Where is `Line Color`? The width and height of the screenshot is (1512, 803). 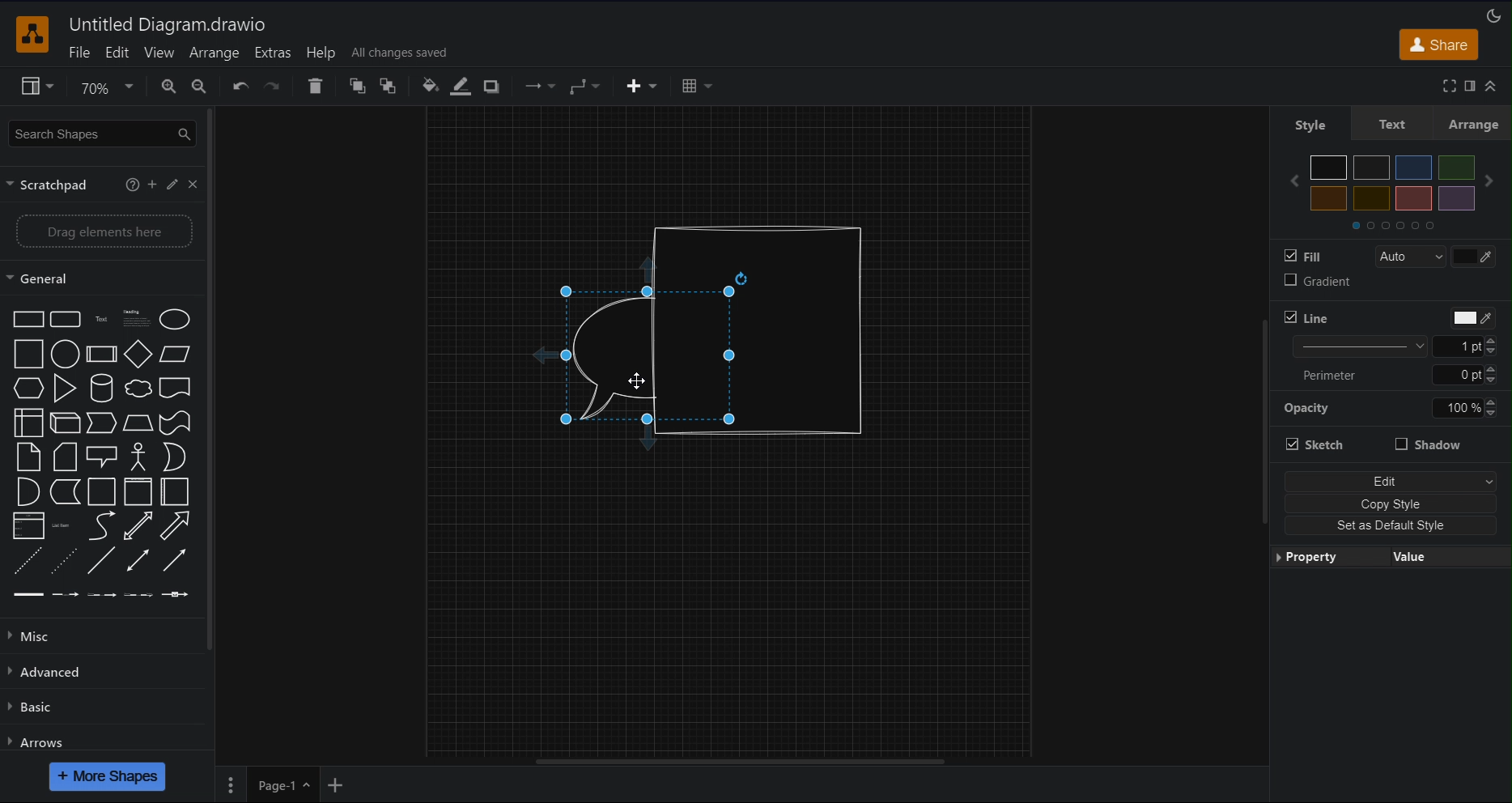 Line Color is located at coordinates (461, 86).